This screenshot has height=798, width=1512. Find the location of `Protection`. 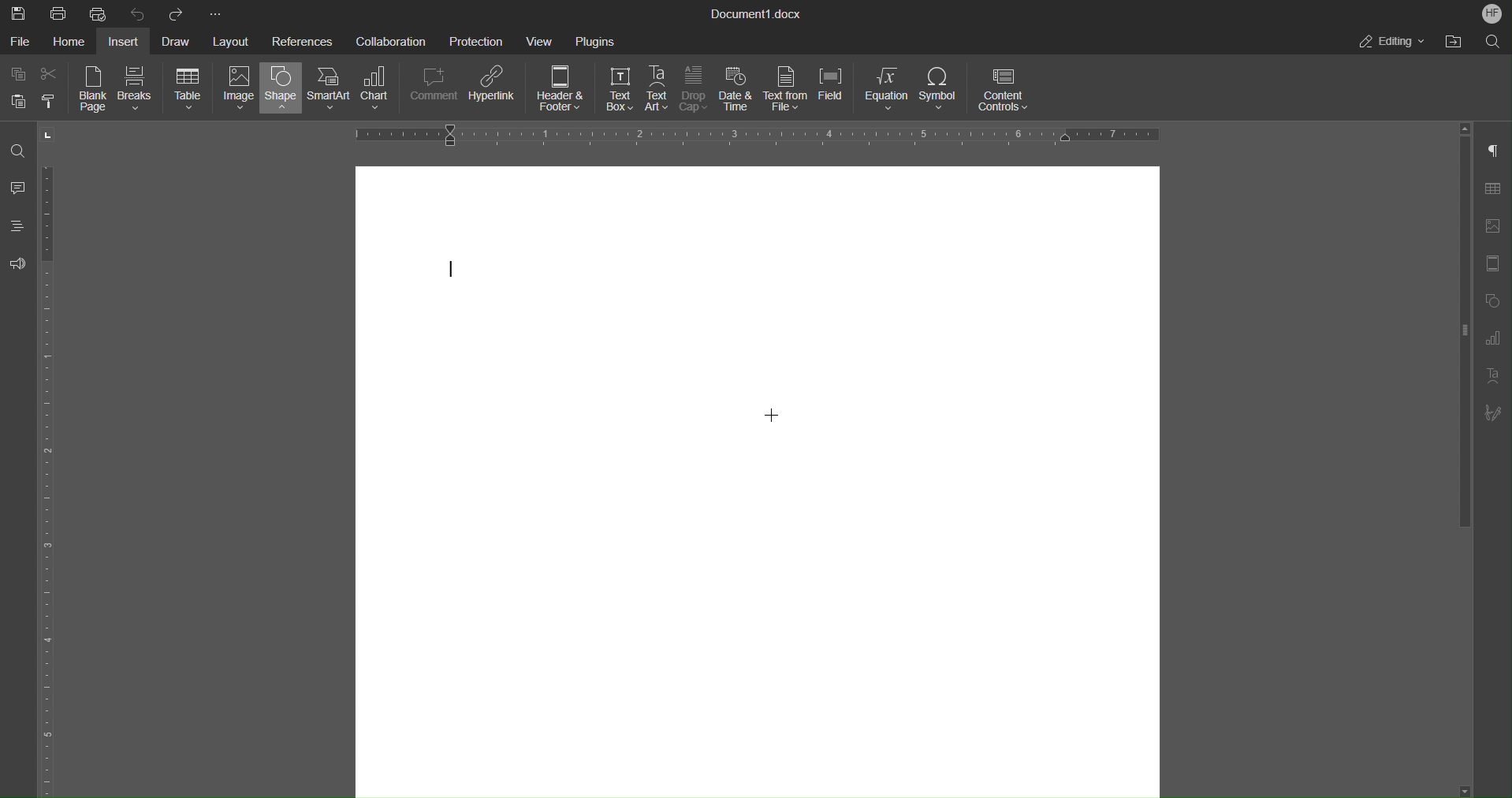

Protection is located at coordinates (478, 40).